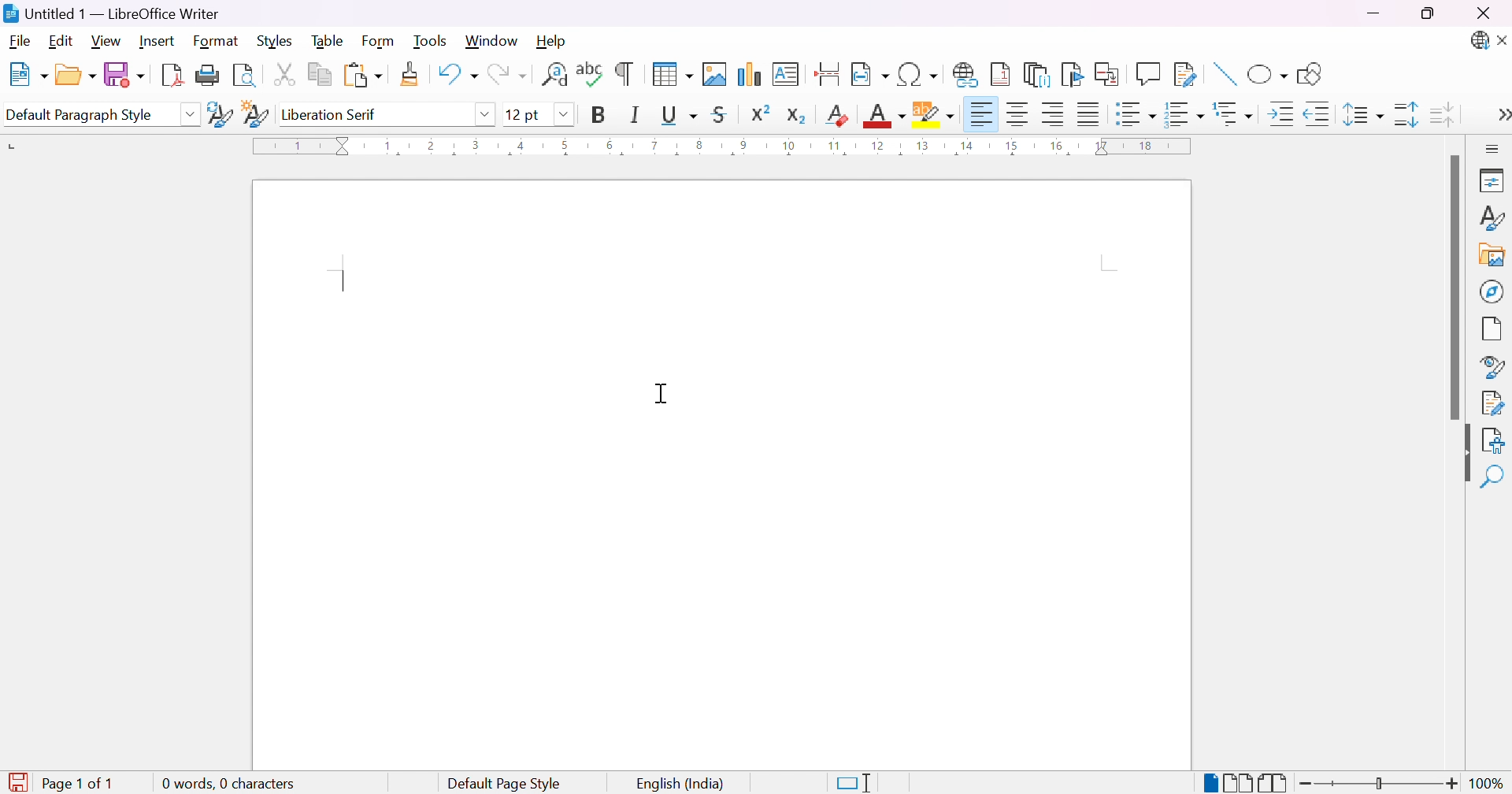 The height and width of the screenshot is (794, 1512). I want to click on Superscript, so click(759, 113).